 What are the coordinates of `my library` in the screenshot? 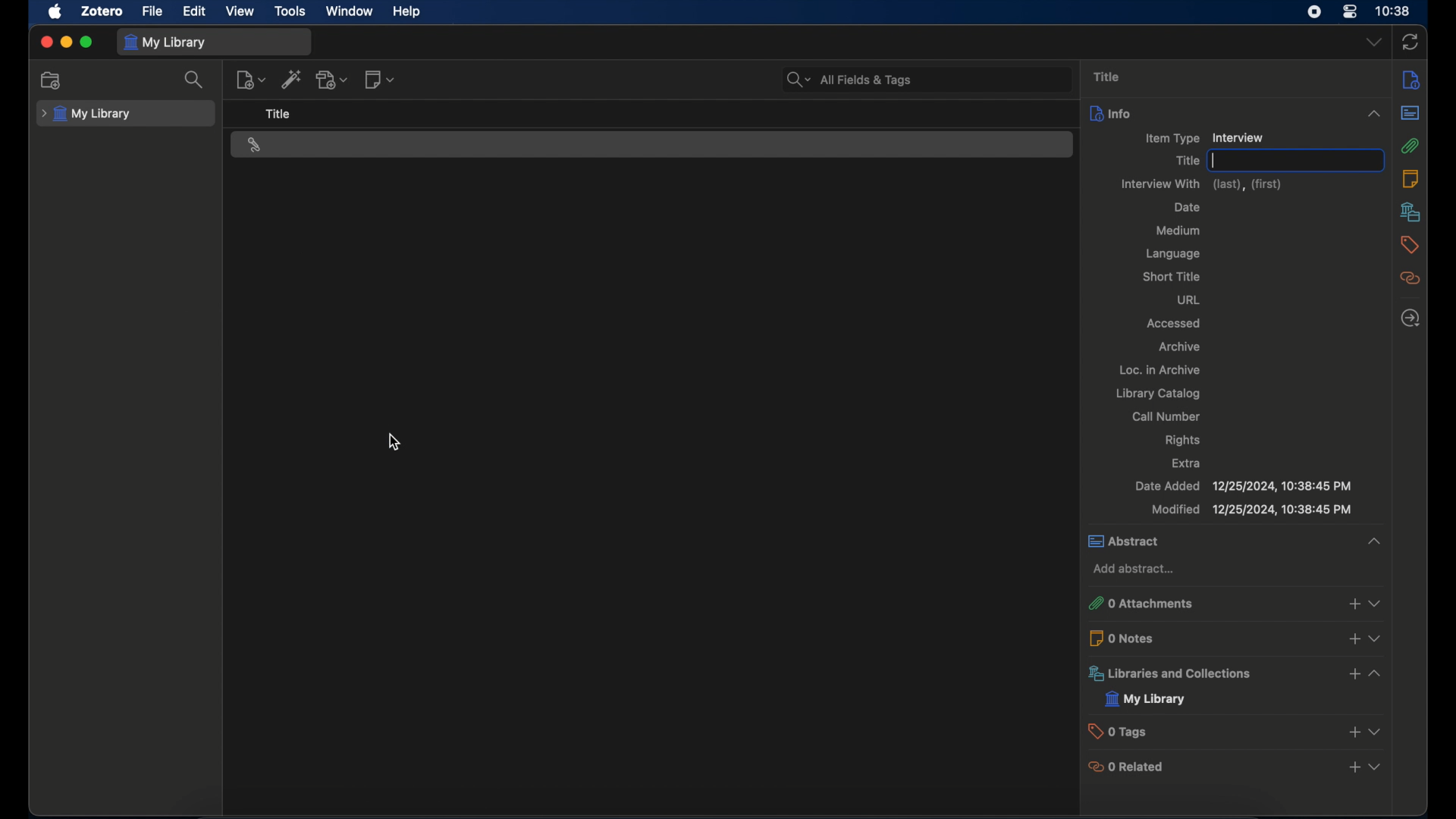 It's located at (86, 115).